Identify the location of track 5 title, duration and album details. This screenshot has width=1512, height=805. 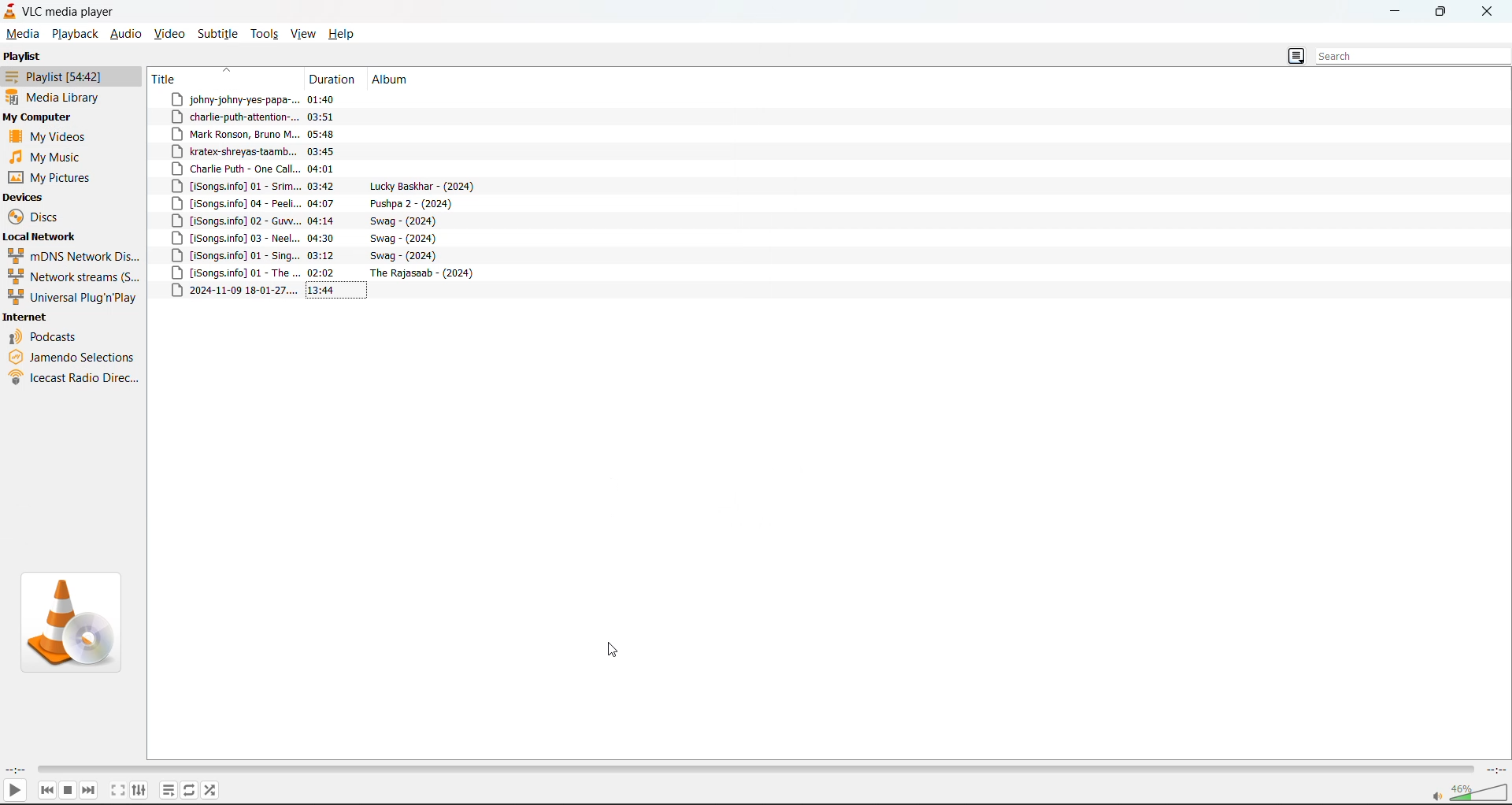
(290, 169).